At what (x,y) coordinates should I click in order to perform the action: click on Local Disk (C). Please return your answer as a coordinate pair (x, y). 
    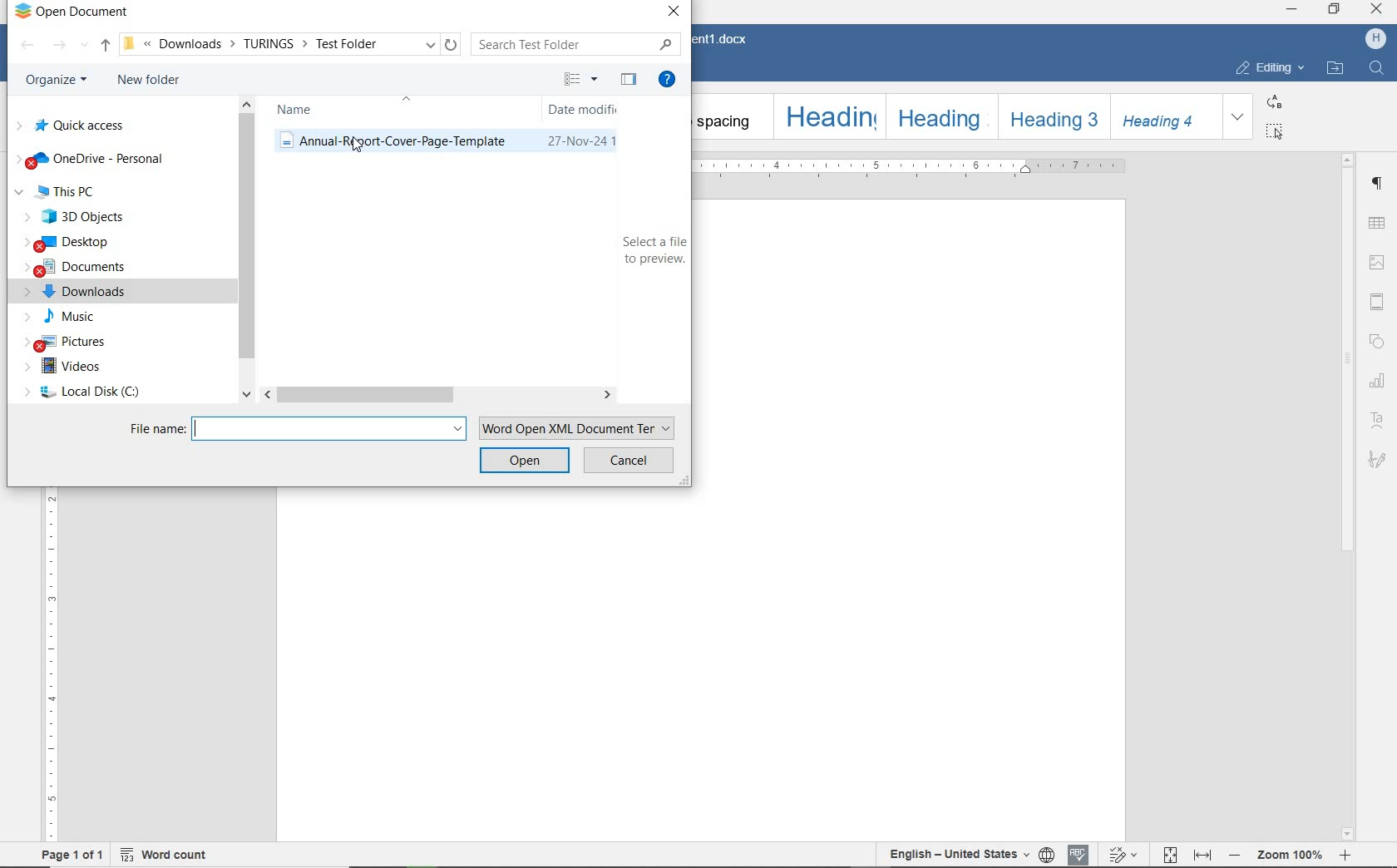
    Looking at the image, I should click on (80, 394).